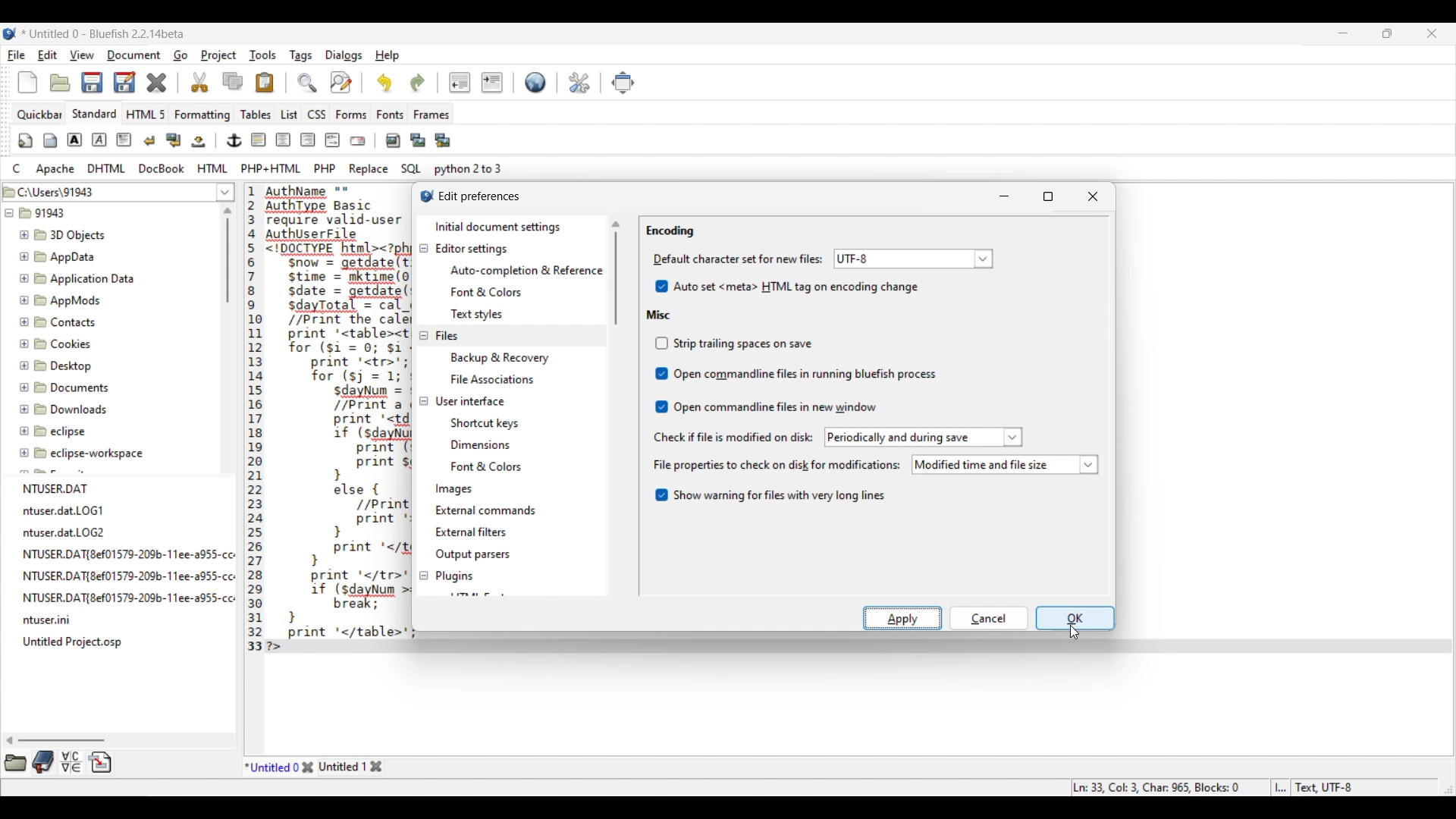 The height and width of the screenshot is (819, 1456). I want to click on Tags menu, so click(300, 56).